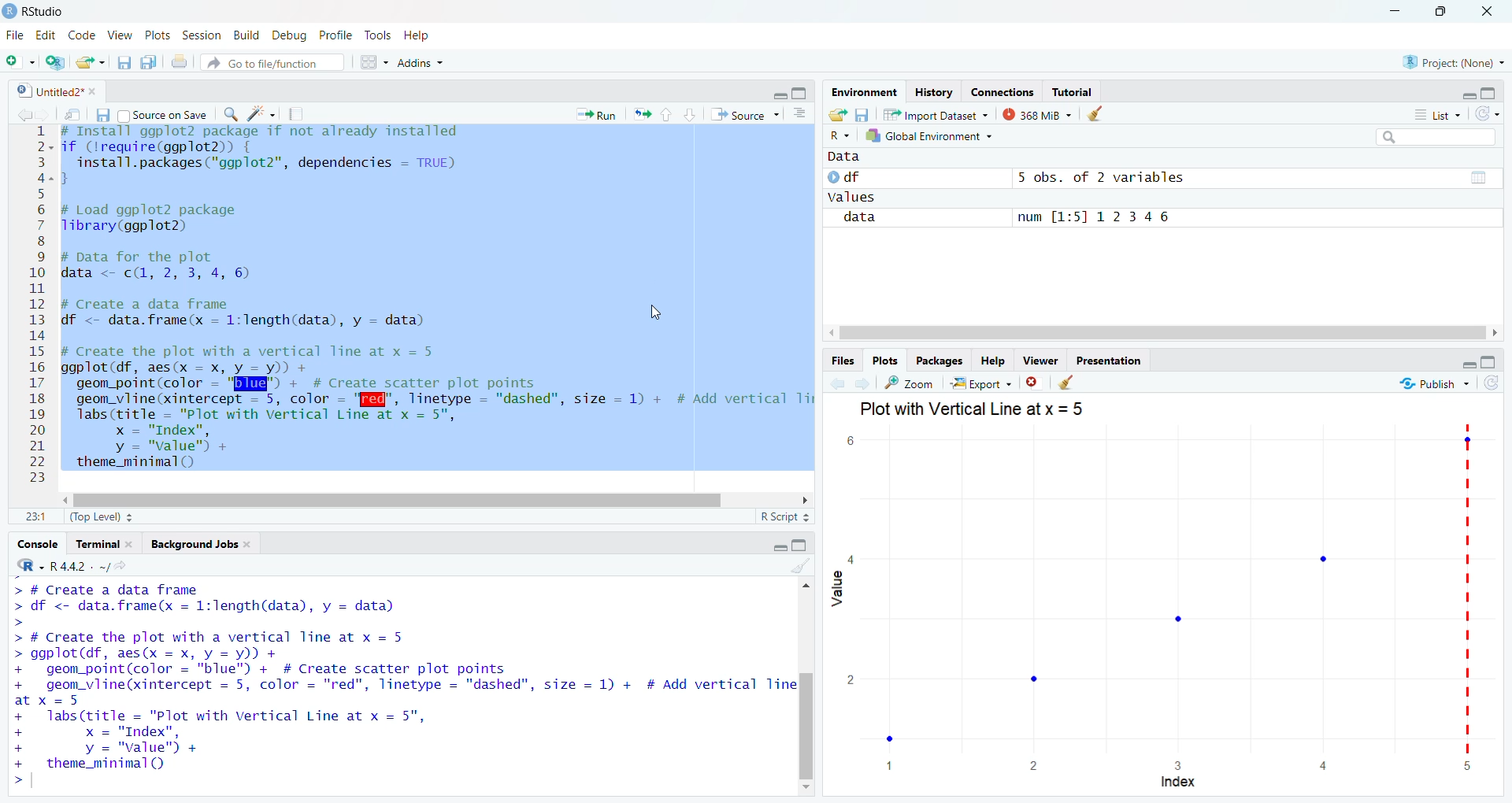 The image size is (1512, 803). Describe the element at coordinates (1495, 383) in the screenshot. I see `refresh` at that location.